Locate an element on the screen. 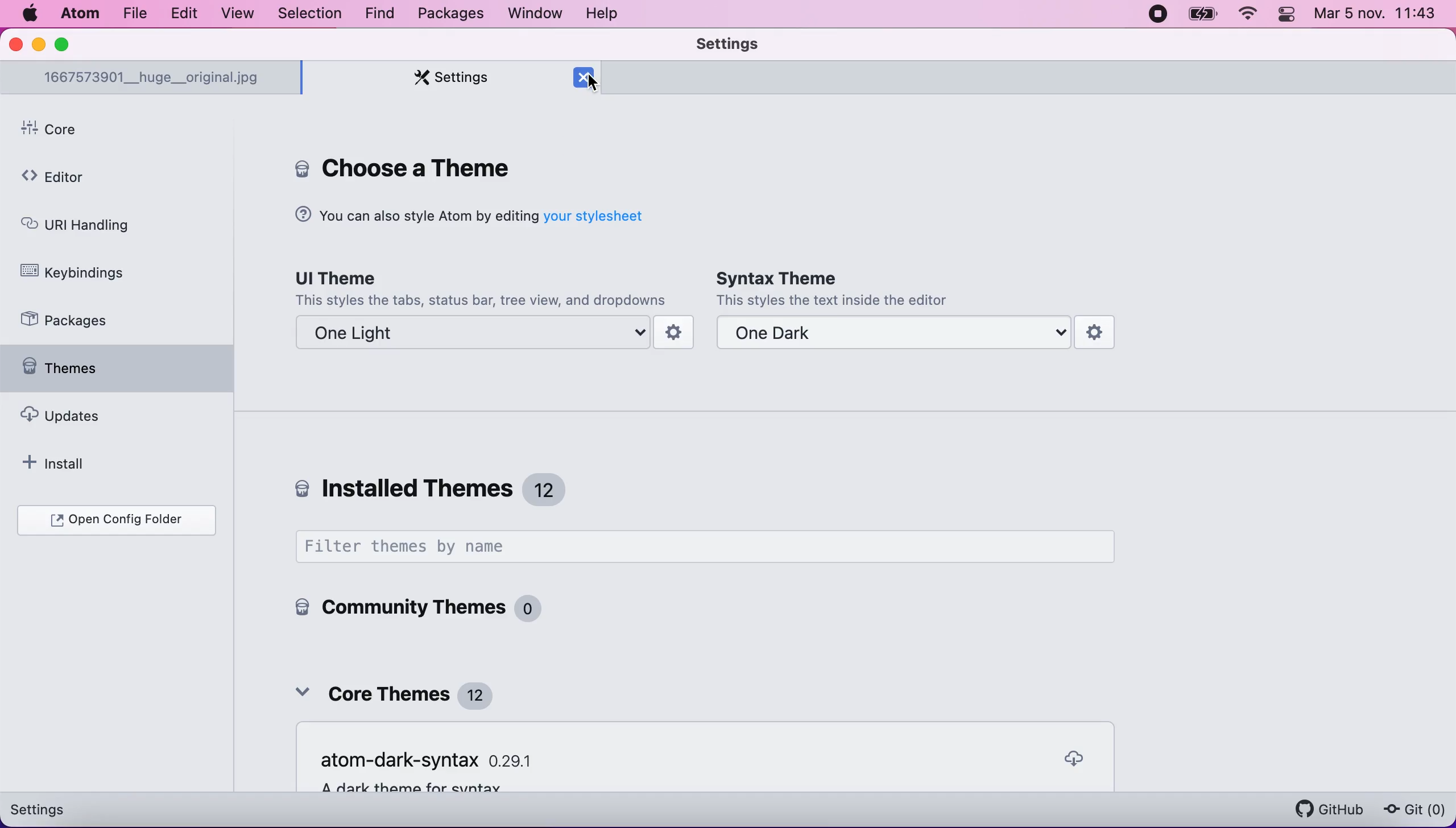 This screenshot has height=828, width=1456. settings is located at coordinates (734, 45).